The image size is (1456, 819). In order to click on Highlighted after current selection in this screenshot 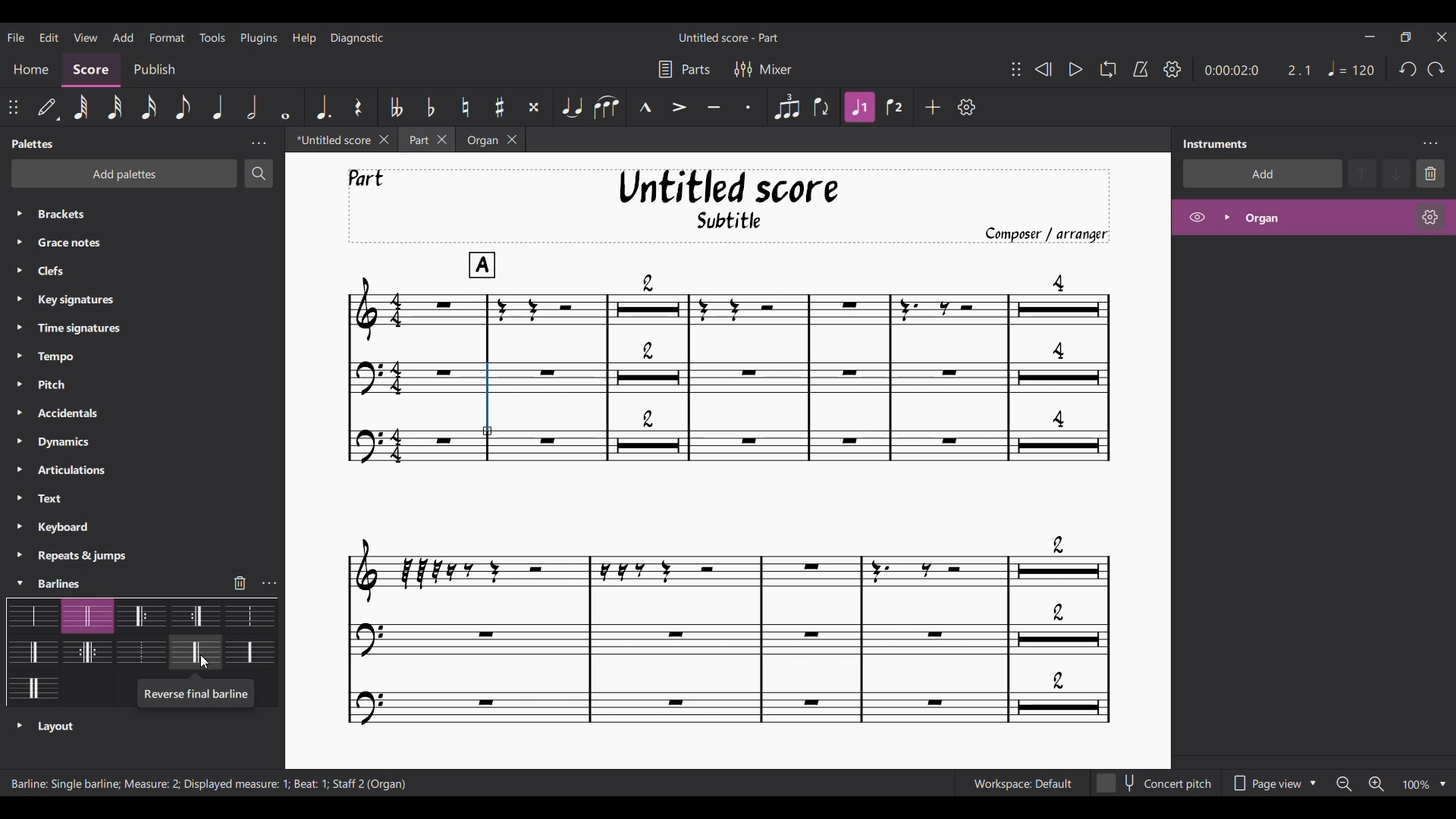, I will do `click(859, 108)`.